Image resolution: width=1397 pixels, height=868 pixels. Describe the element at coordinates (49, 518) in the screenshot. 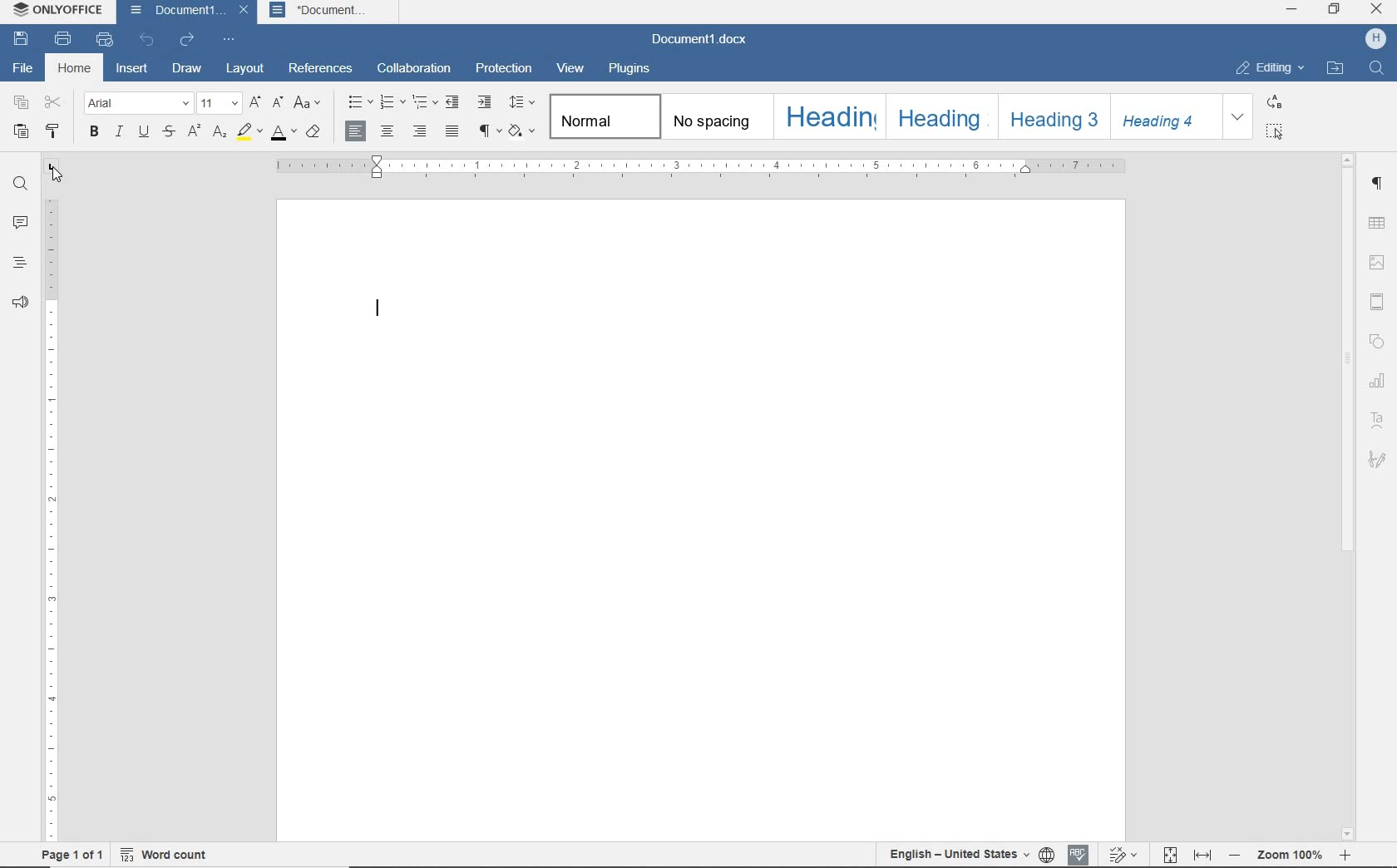

I see `RULER` at that location.